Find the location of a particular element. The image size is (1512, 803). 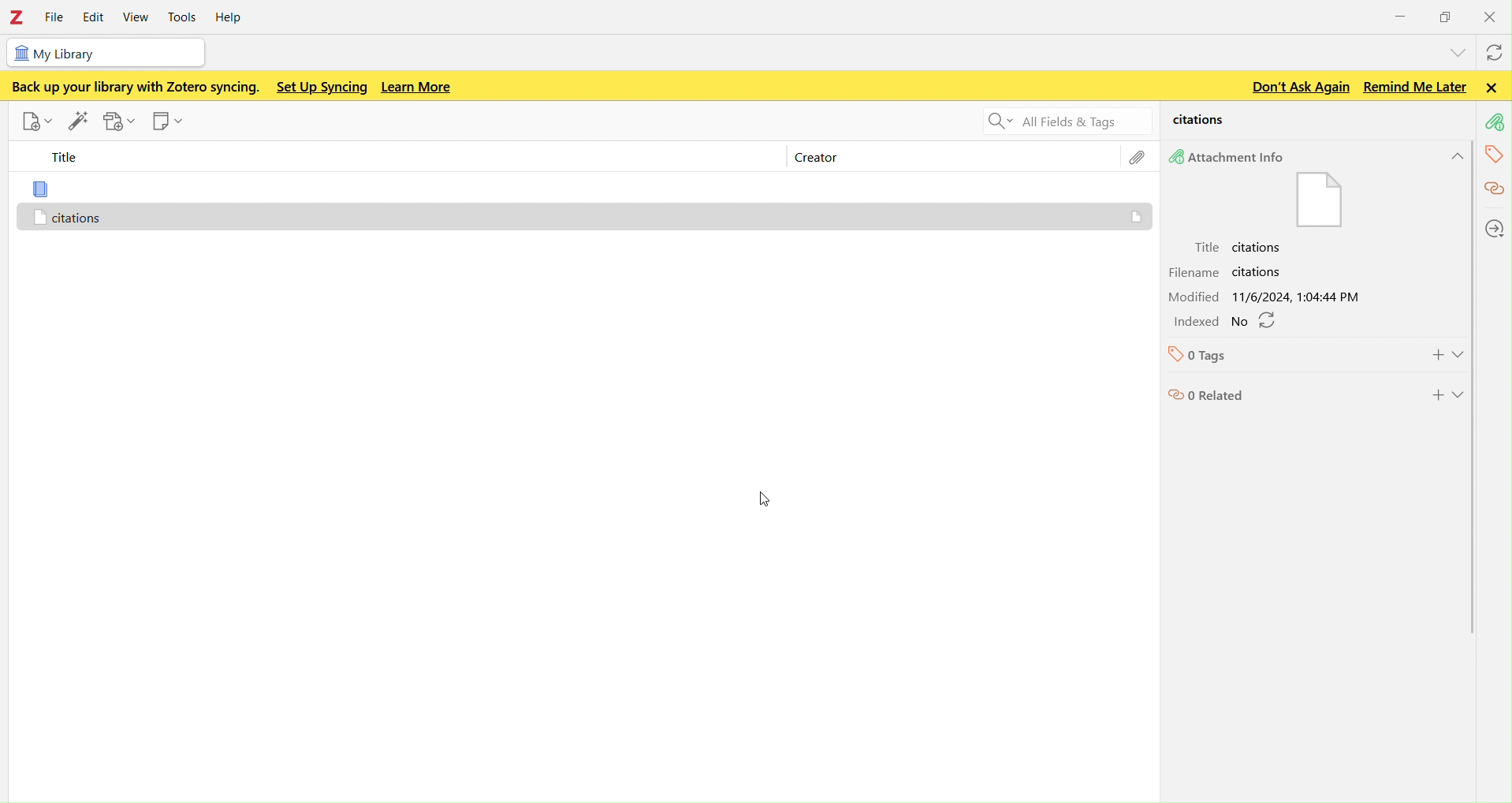

Filename is located at coordinates (1227, 275).